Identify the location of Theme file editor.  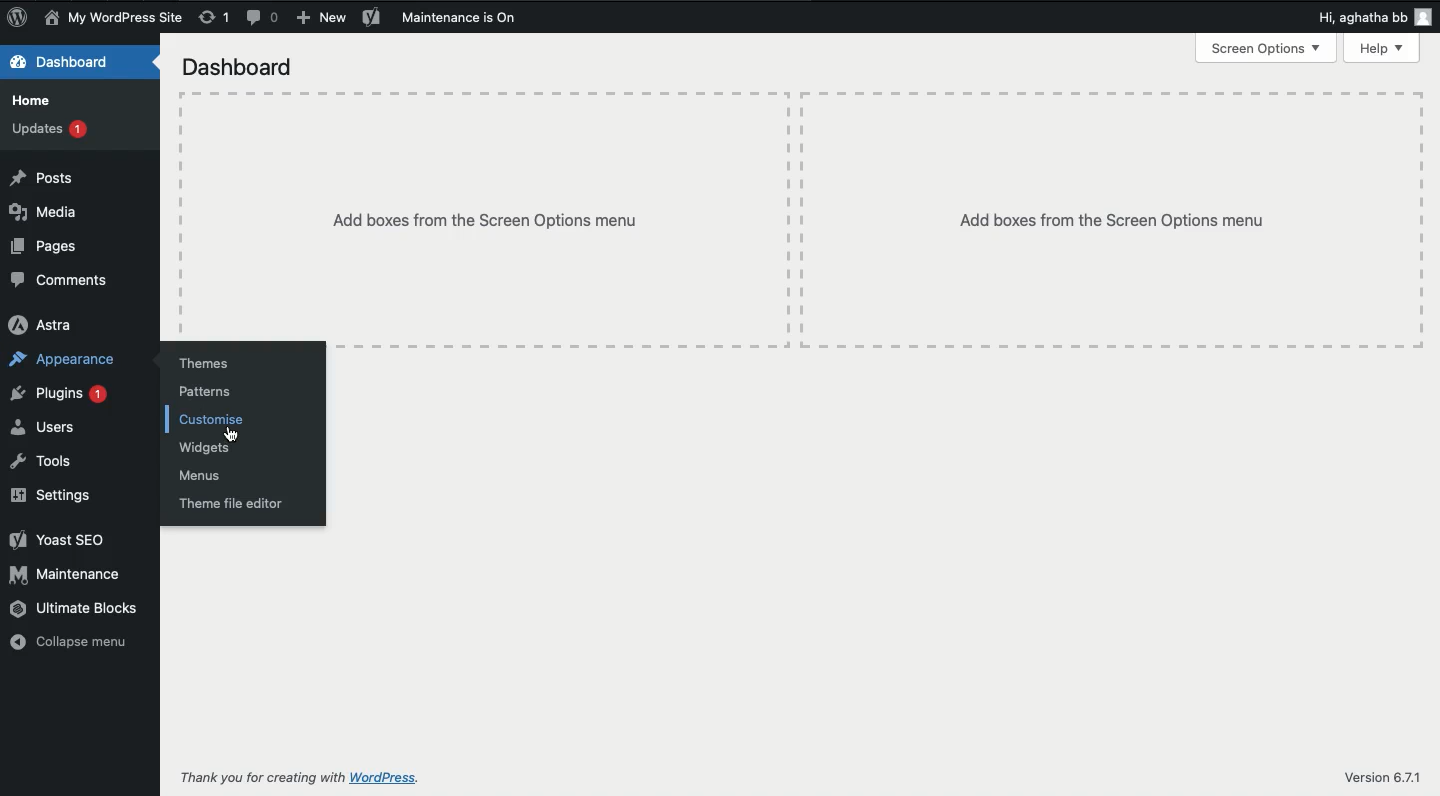
(231, 503).